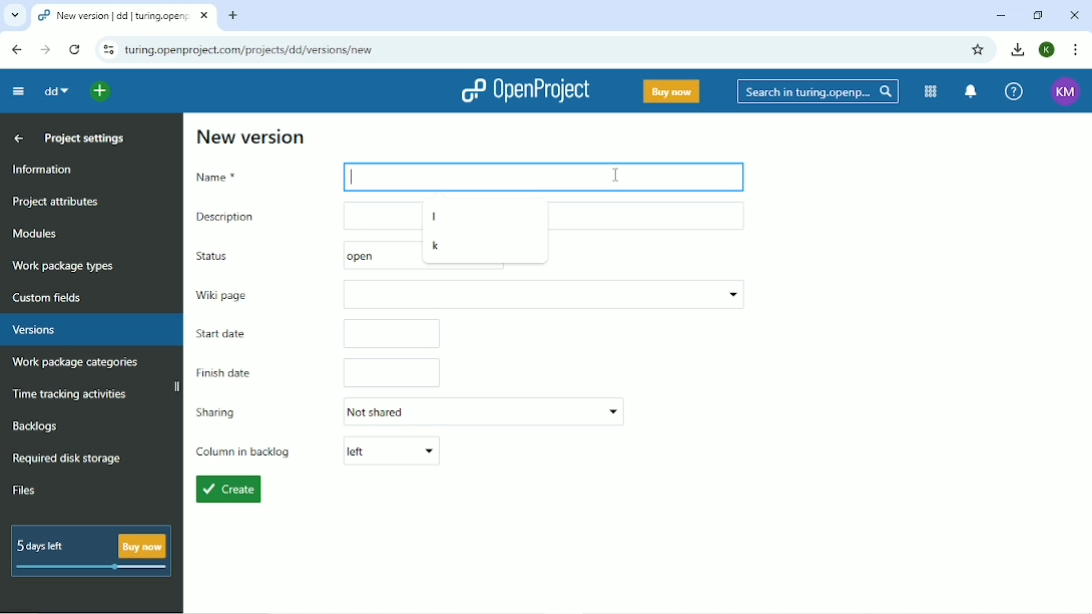  What do you see at coordinates (1015, 91) in the screenshot?
I see `Help` at bounding box center [1015, 91].